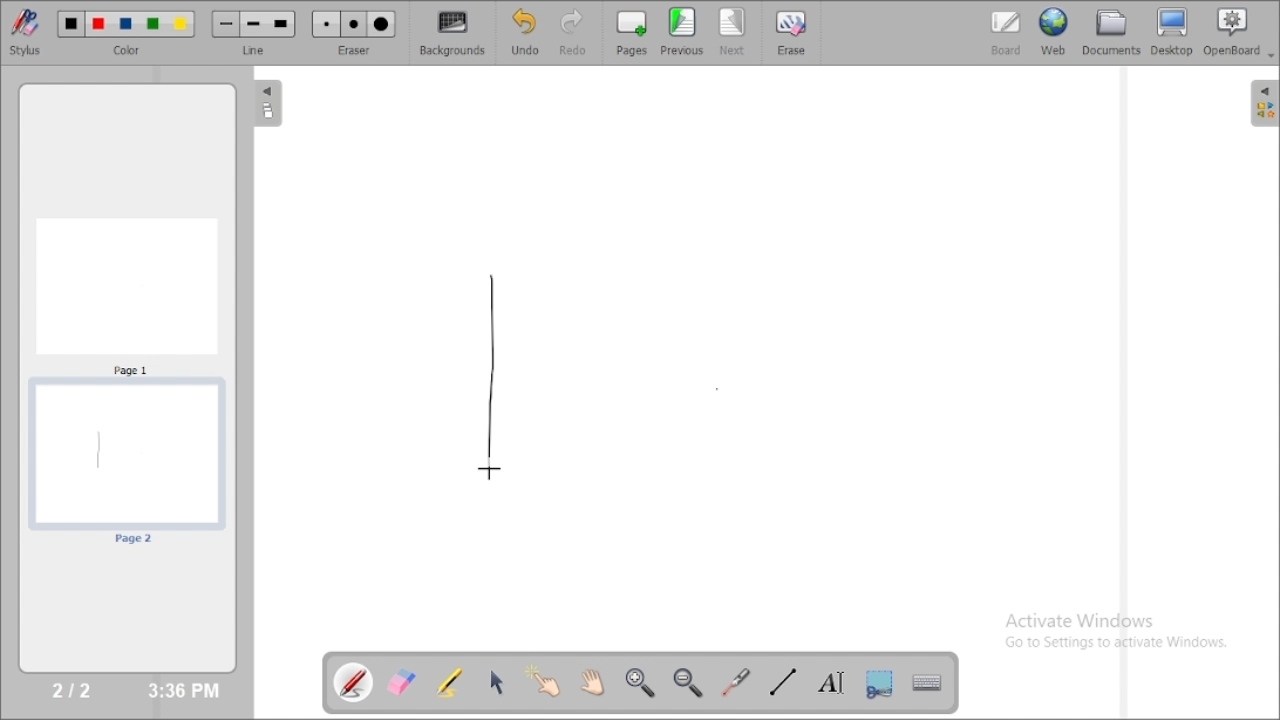 The width and height of the screenshot is (1280, 720). Describe the element at coordinates (355, 682) in the screenshot. I see `annotate document` at that location.